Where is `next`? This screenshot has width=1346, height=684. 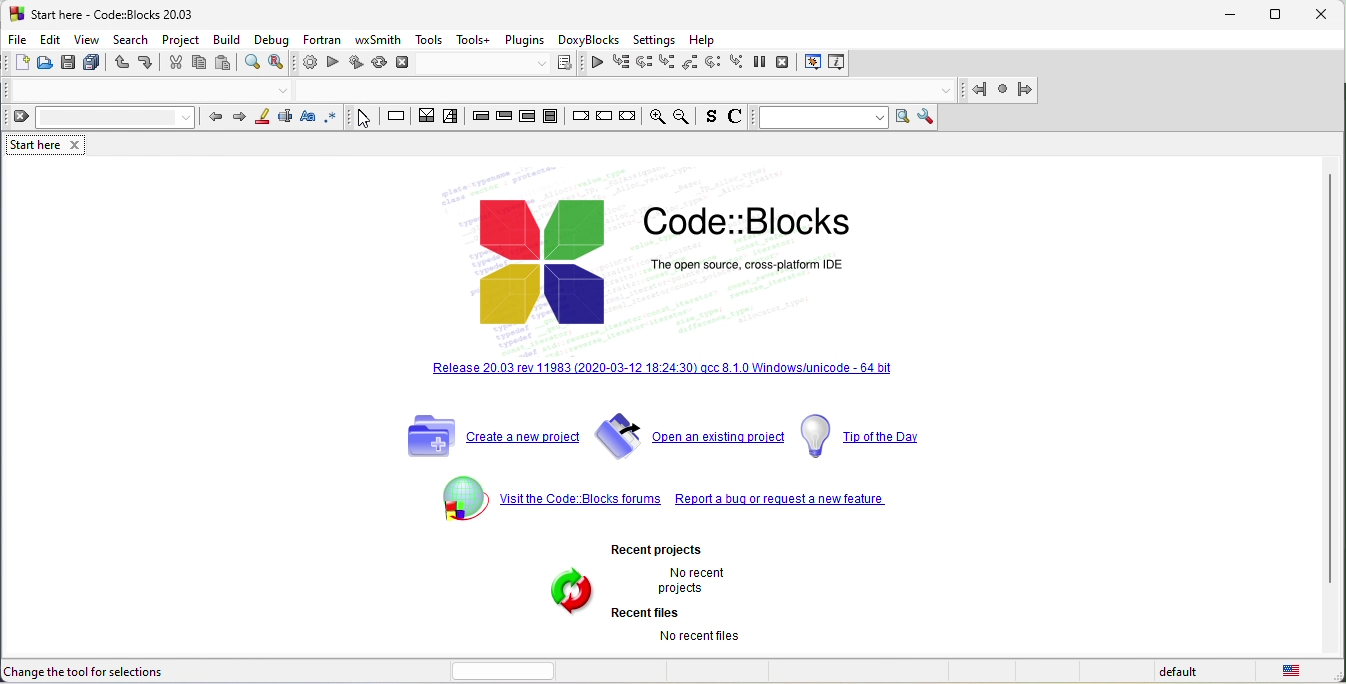 next is located at coordinates (243, 118).